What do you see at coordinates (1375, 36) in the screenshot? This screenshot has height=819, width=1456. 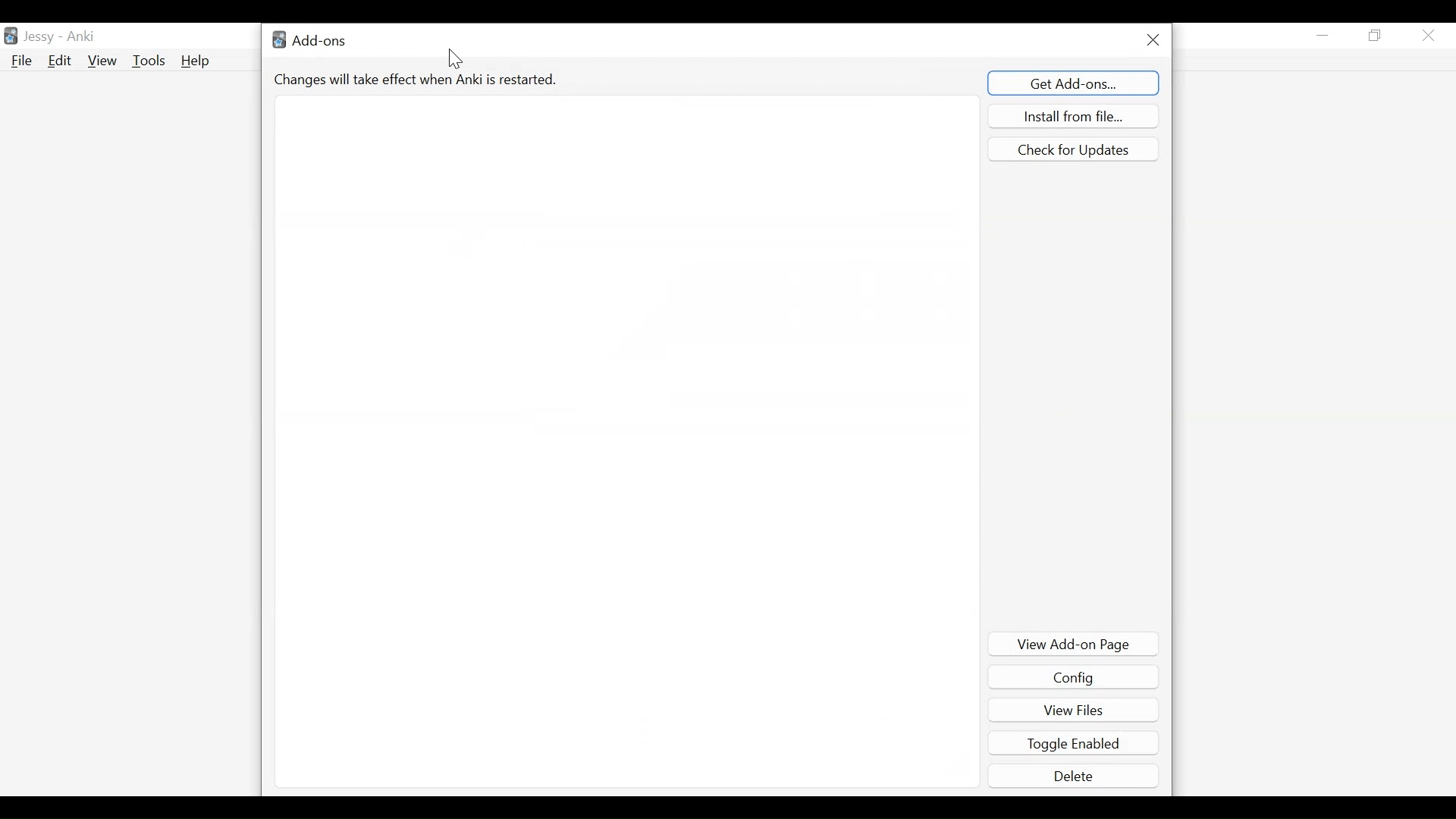 I see `Restore` at bounding box center [1375, 36].